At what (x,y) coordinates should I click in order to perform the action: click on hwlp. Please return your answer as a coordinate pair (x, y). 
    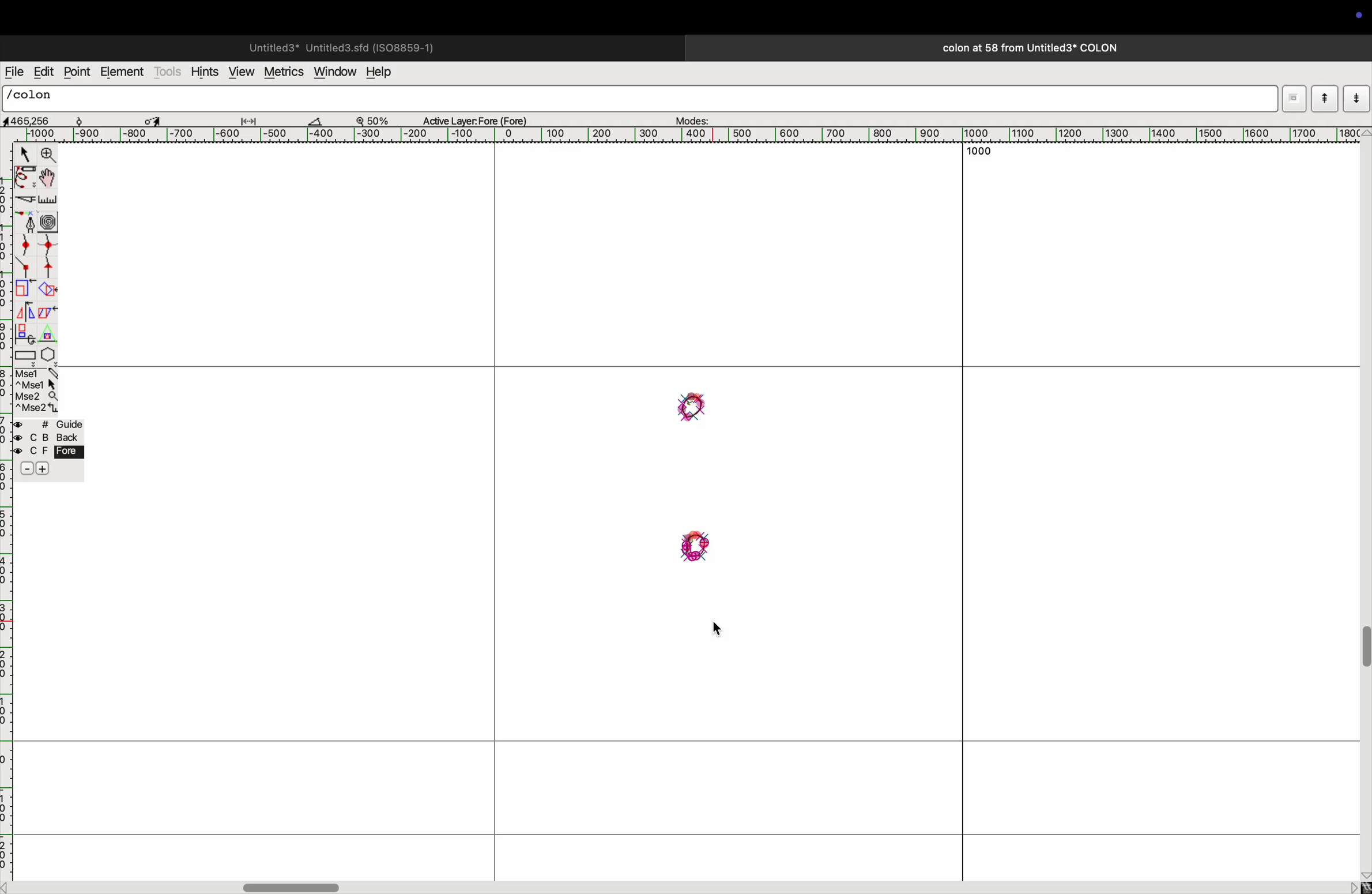
    Looking at the image, I should click on (386, 73).